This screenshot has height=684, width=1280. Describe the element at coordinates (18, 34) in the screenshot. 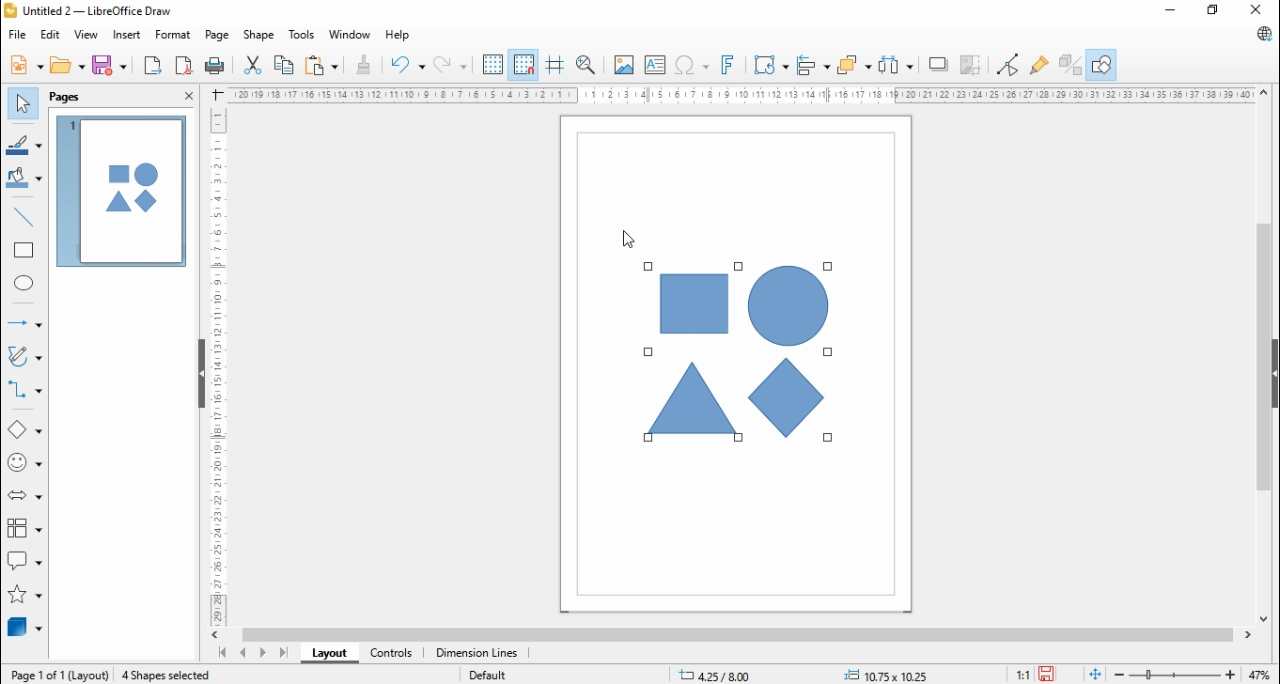

I see `file` at that location.